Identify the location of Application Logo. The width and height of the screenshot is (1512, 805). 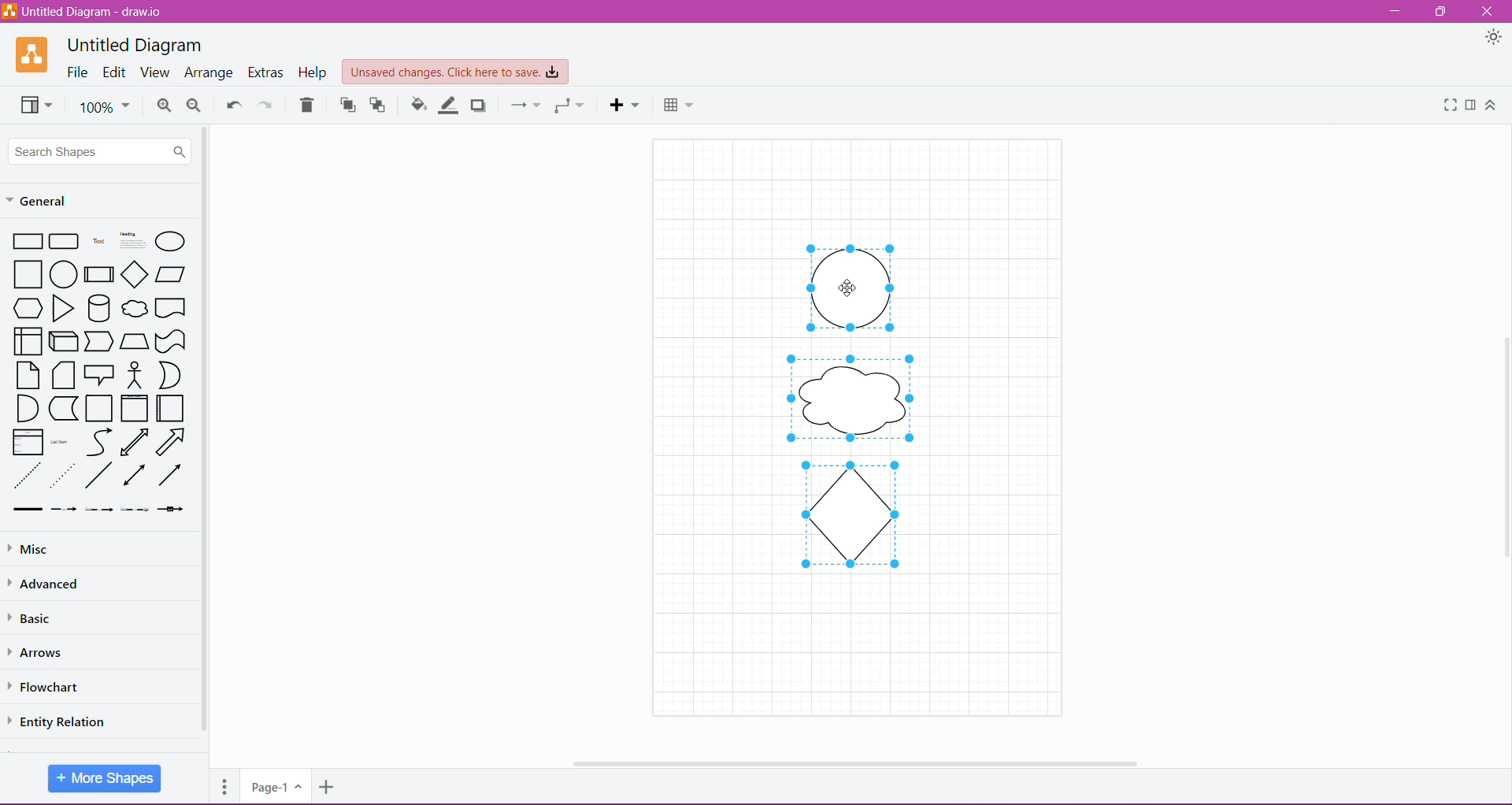
(33, 54).